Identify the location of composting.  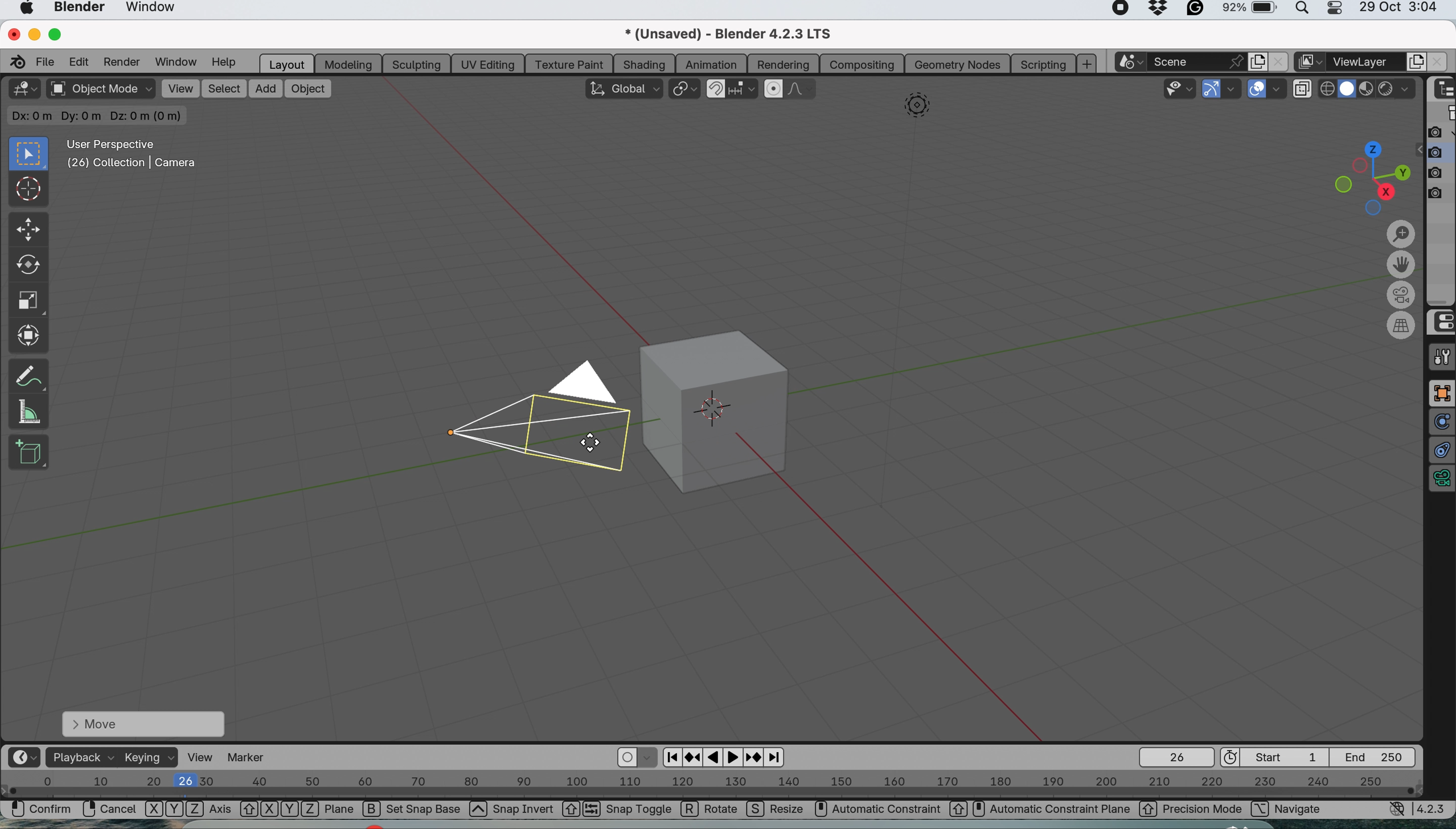
(864, 64).